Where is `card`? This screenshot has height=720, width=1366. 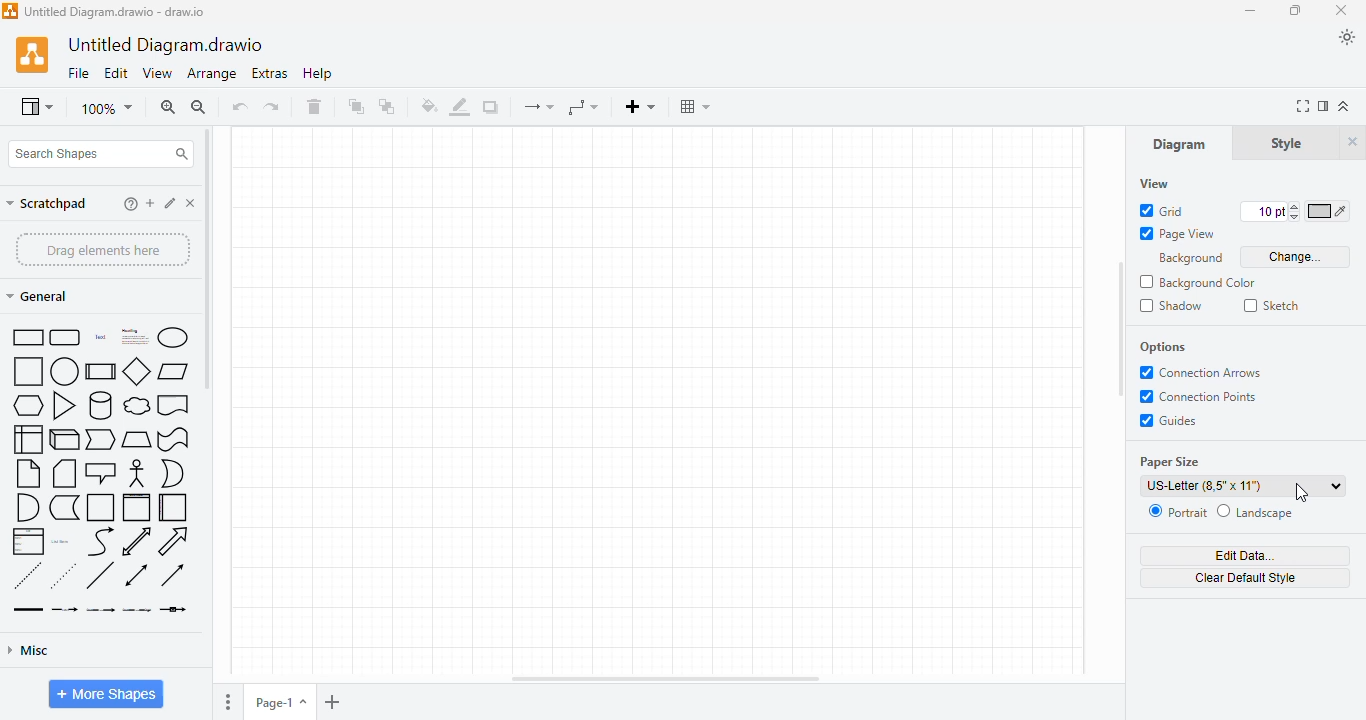
card is located at coordinates (63, 473).